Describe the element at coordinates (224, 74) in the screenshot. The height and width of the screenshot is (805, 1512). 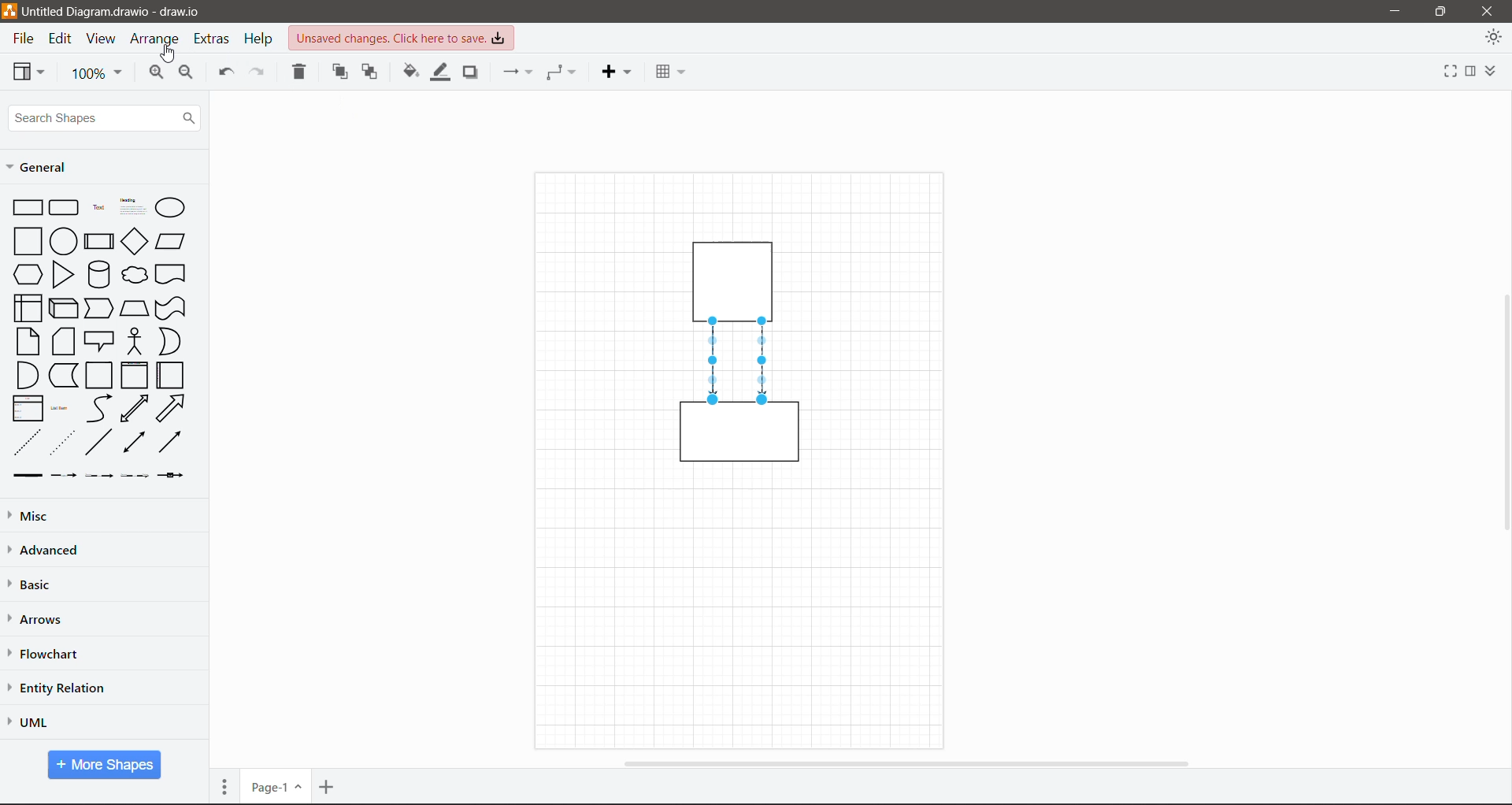
I see `Undo` at that location.